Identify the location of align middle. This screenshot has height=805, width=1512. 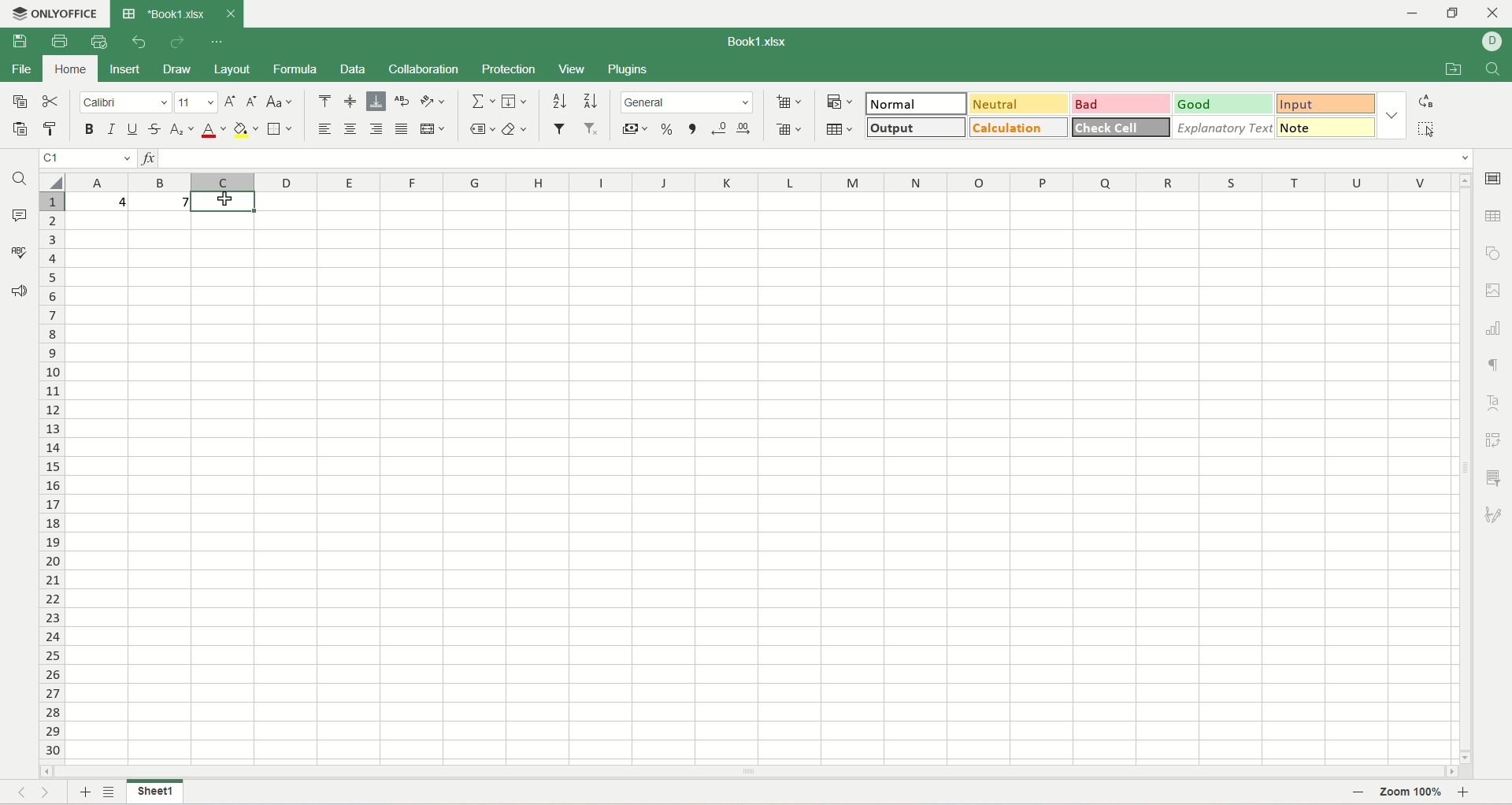
(352, 101).